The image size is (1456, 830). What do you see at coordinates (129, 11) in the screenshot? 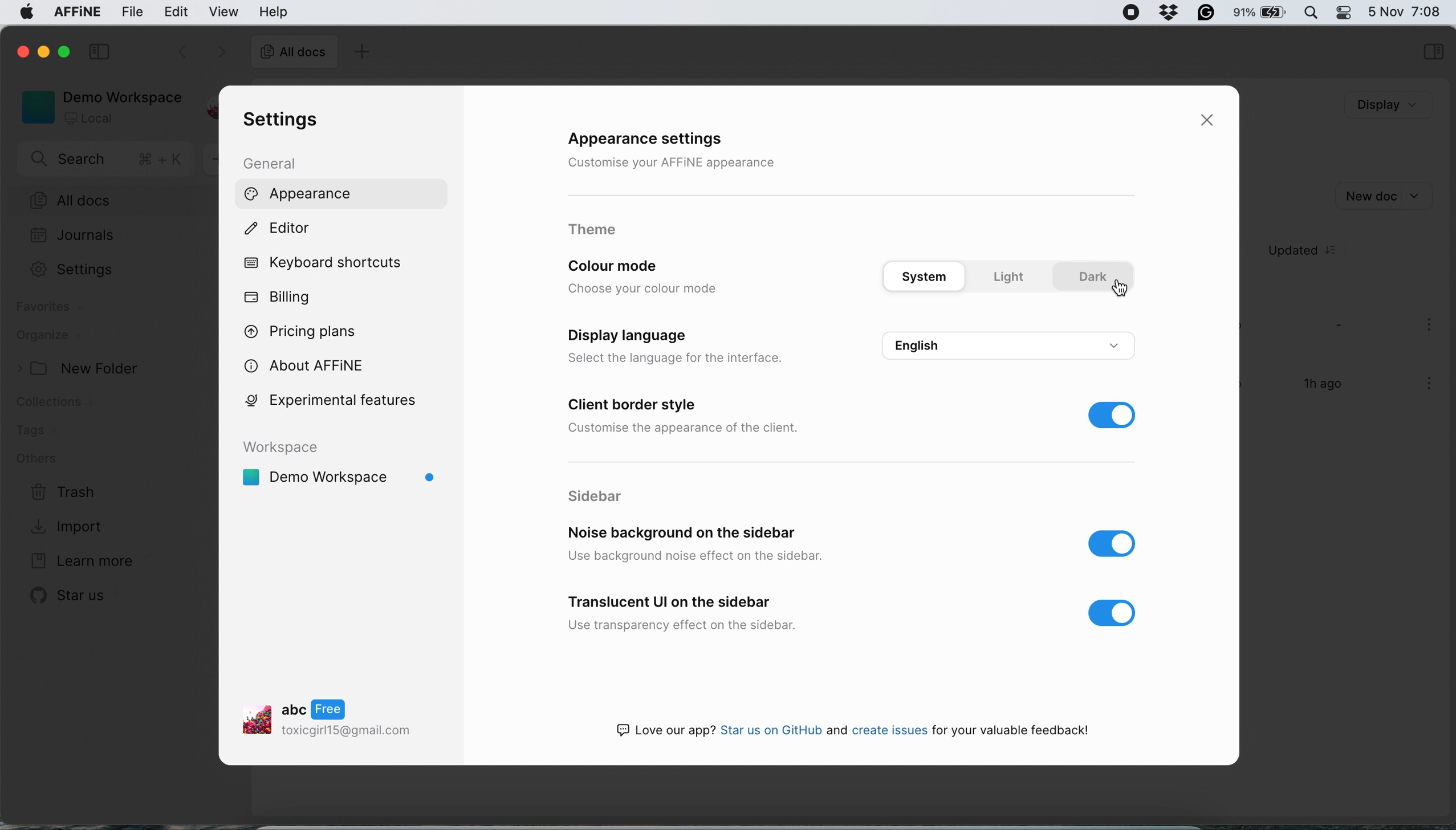
I see `file` at bounding box center [129, 11].